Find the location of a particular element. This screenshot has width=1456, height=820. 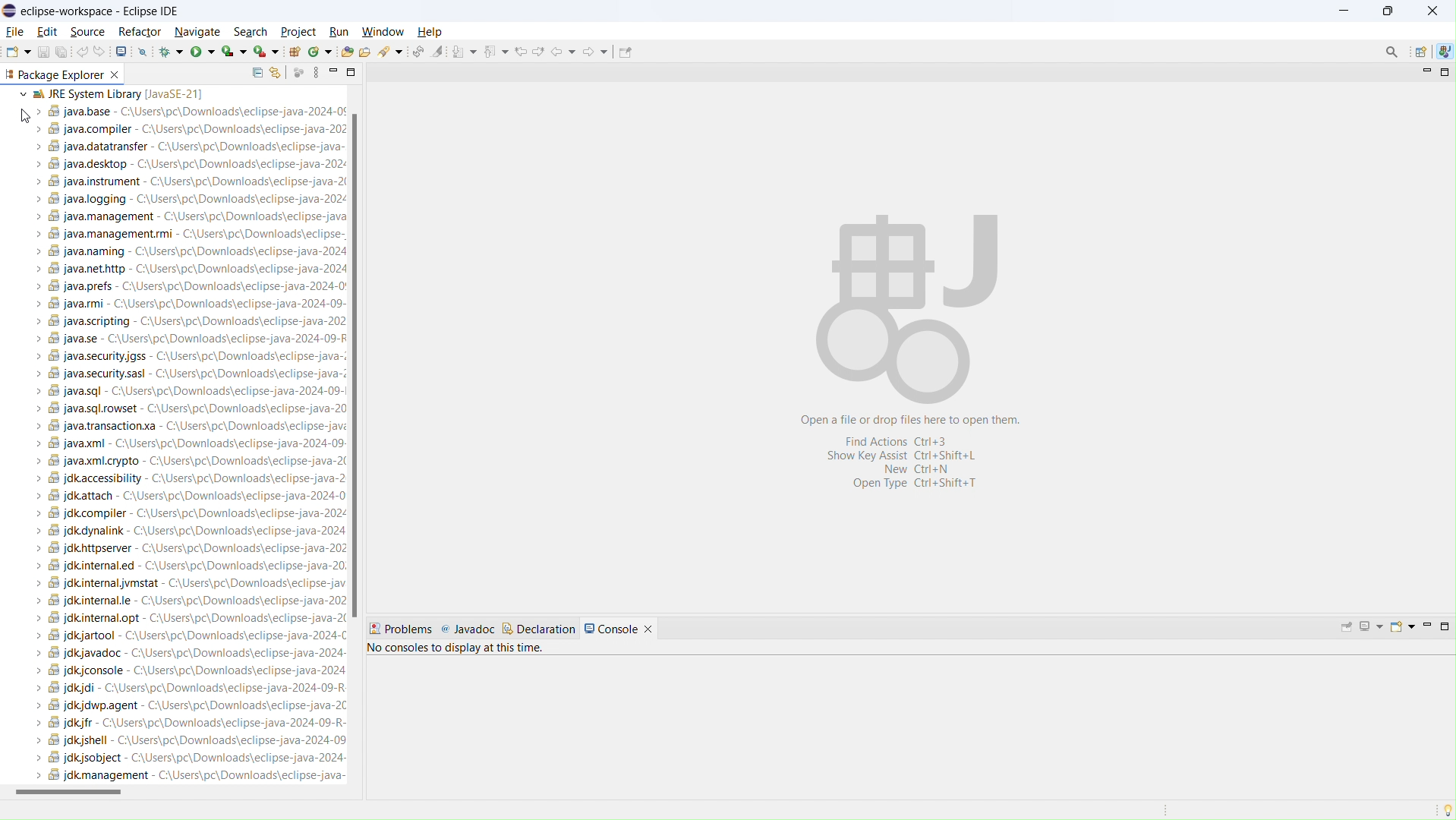

Search is located at coordinates (1391, 52).